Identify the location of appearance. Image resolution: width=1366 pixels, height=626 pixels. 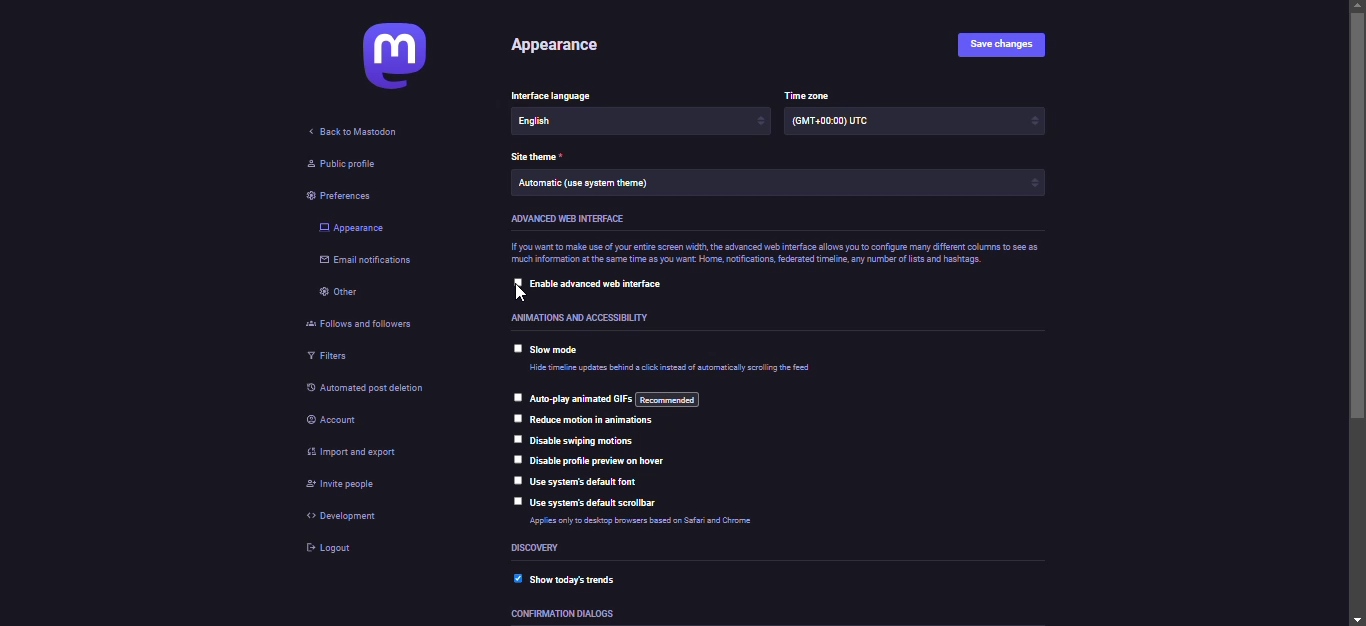
(559, 46).